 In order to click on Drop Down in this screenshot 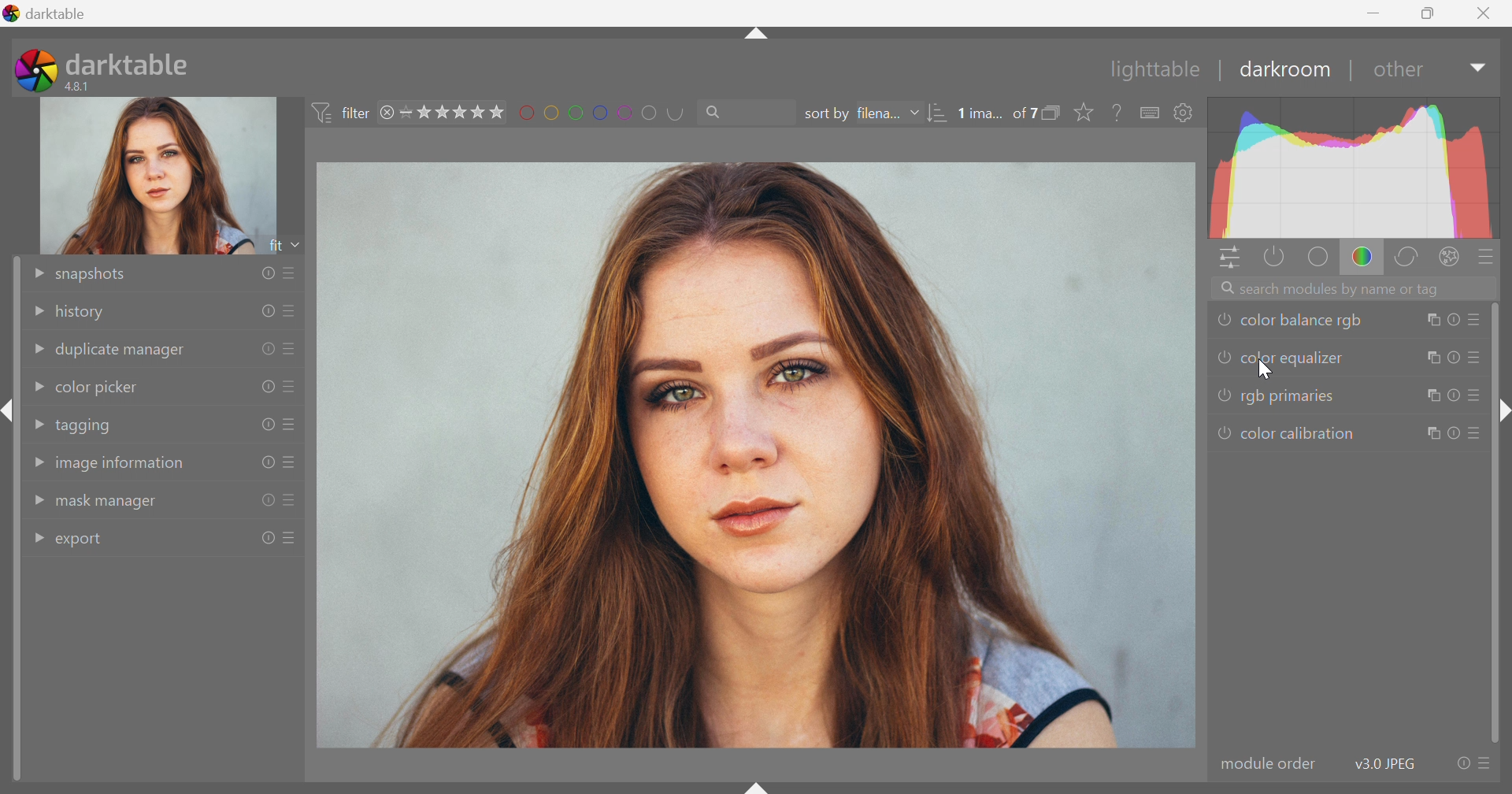, I will do `click(35, 424)`.